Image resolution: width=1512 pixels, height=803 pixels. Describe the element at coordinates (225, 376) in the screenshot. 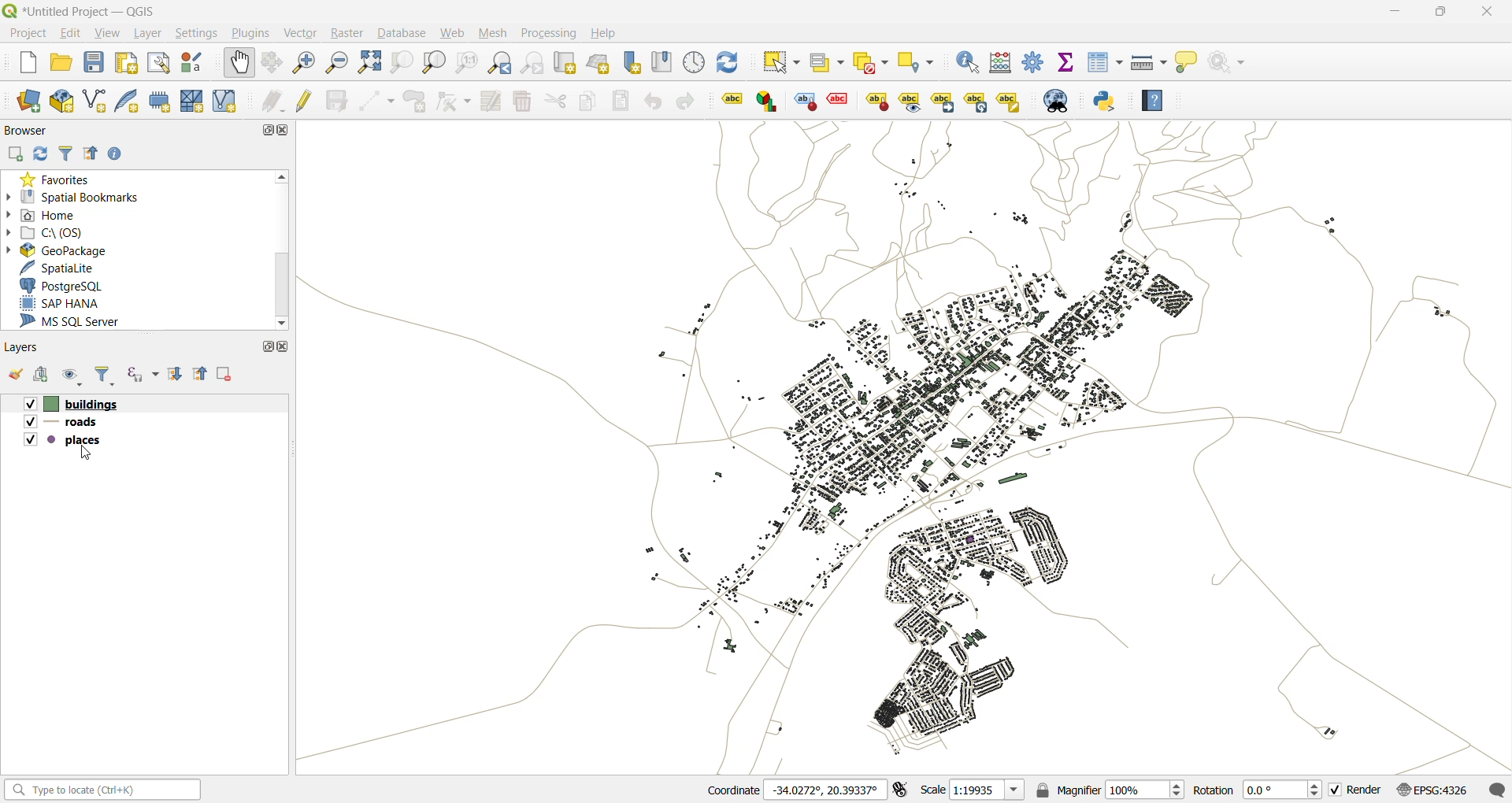

I see `remove` at that location.